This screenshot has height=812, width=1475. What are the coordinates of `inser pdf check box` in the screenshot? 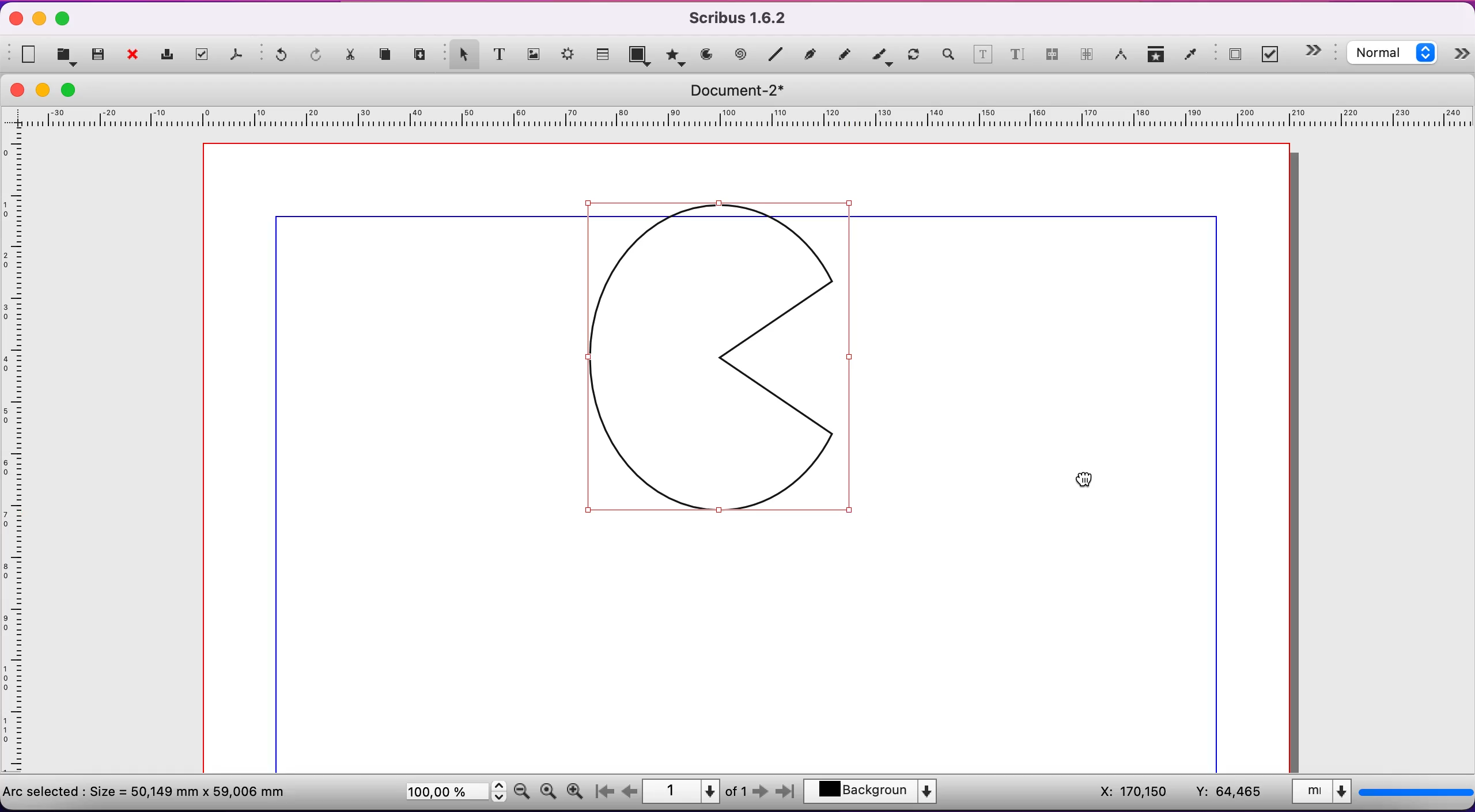 It's located at (1273, 55).